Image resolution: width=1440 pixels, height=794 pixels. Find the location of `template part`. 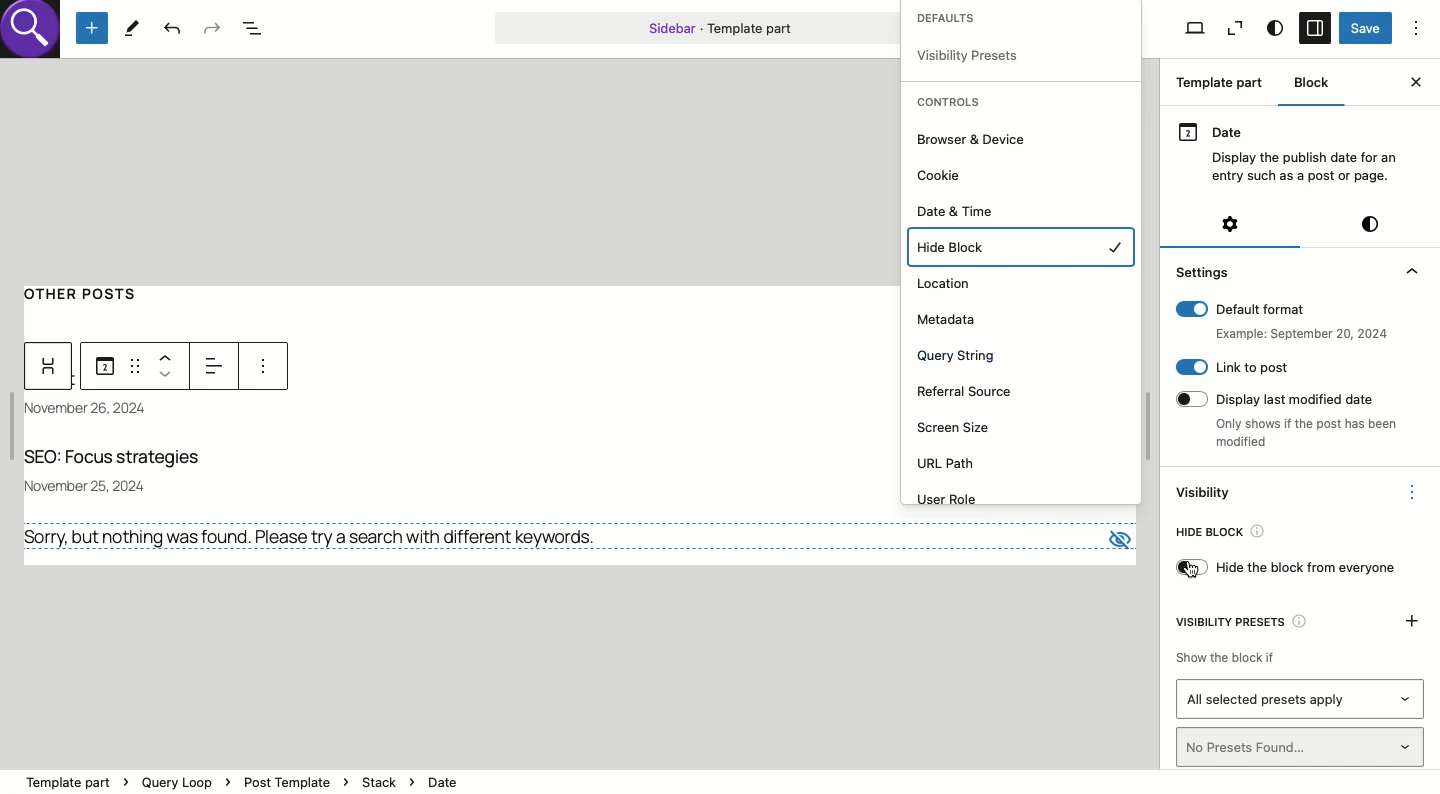

template part is located at coordinates (244, 771).